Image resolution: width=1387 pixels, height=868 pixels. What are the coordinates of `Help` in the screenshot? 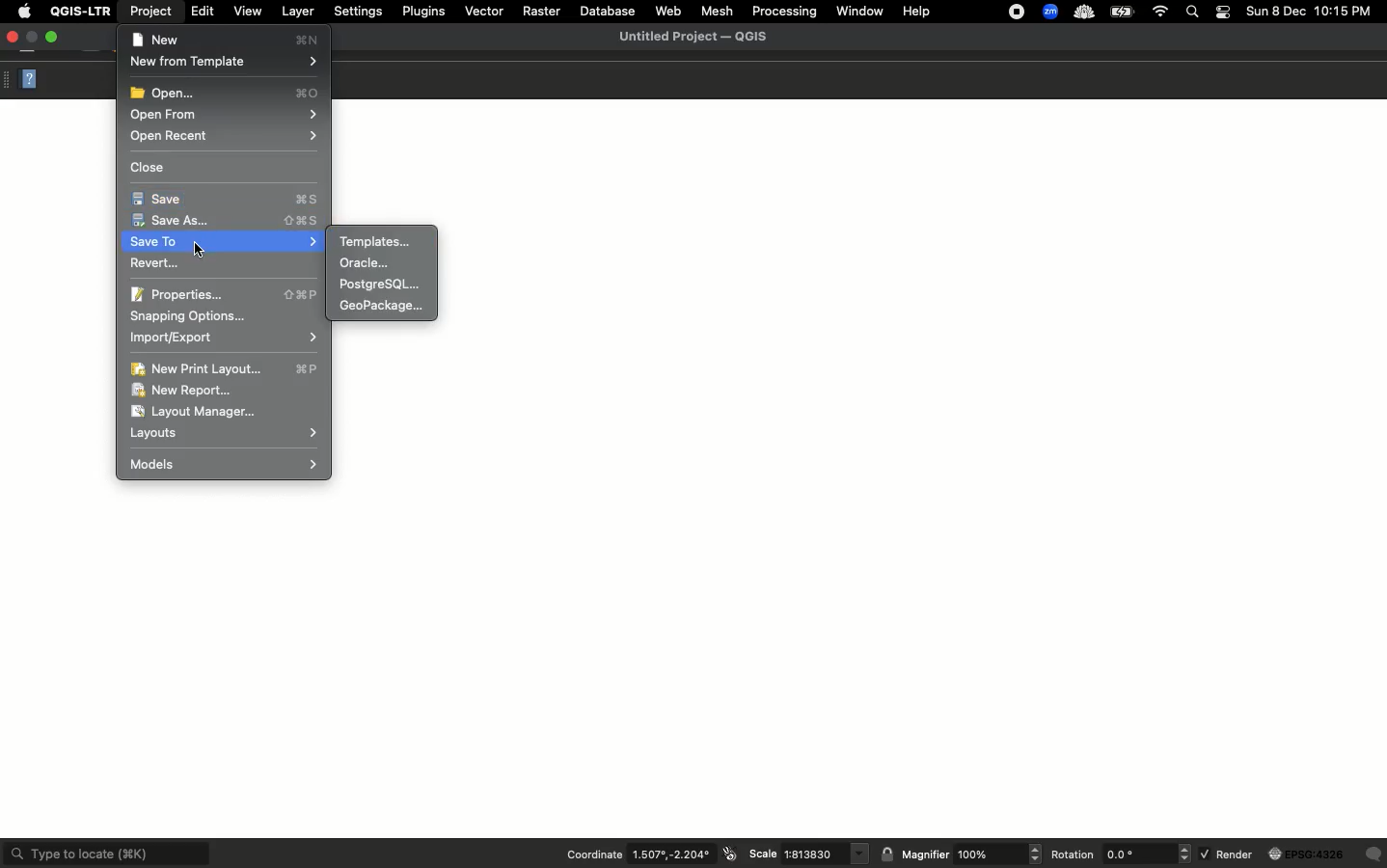 It's located at (33, 81).